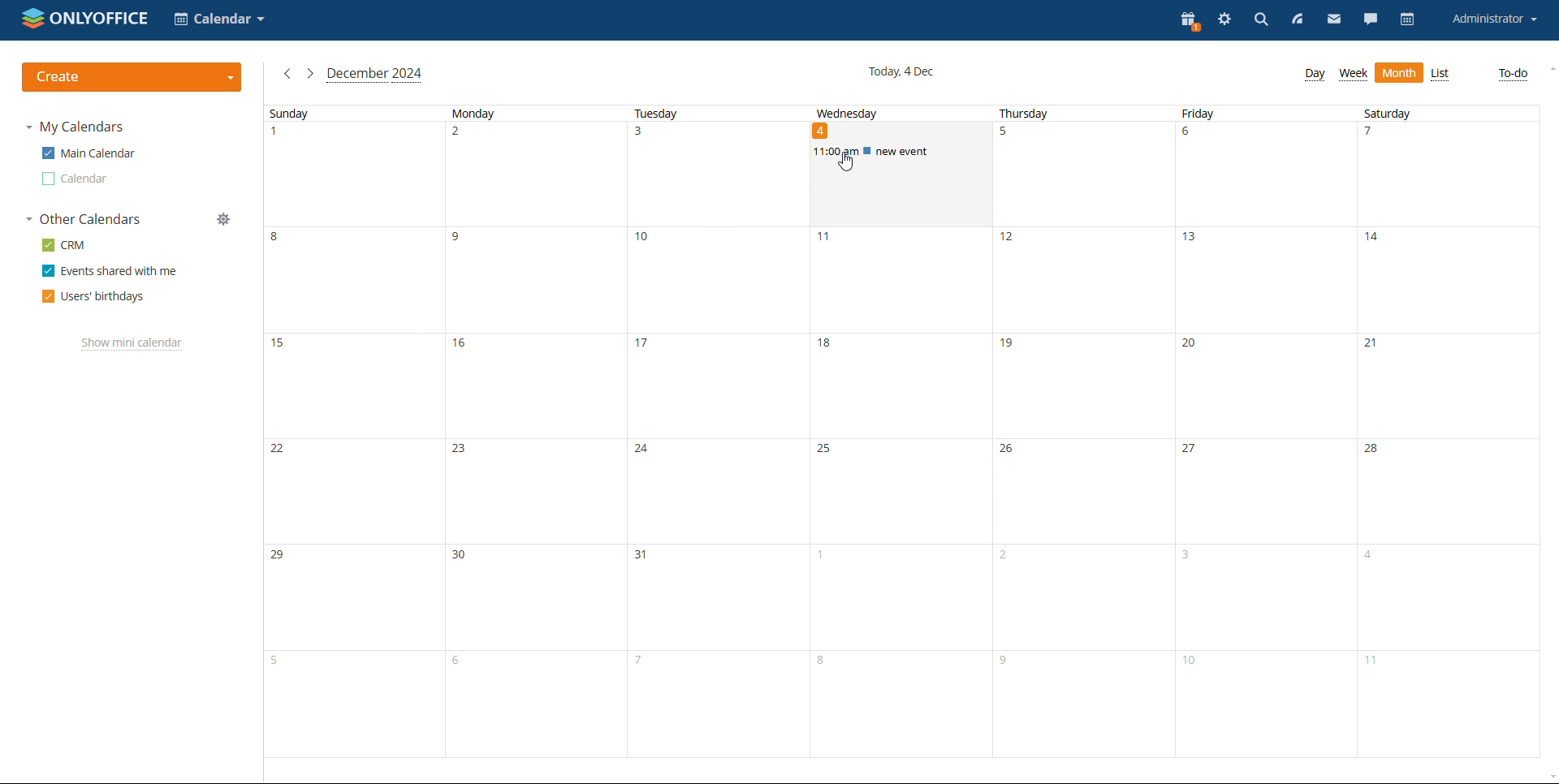 The width and height of the screenshot is (1559, 784). Describe the element at coordinates (84, 220) in the screenshot. I see `other calendars` at that location.